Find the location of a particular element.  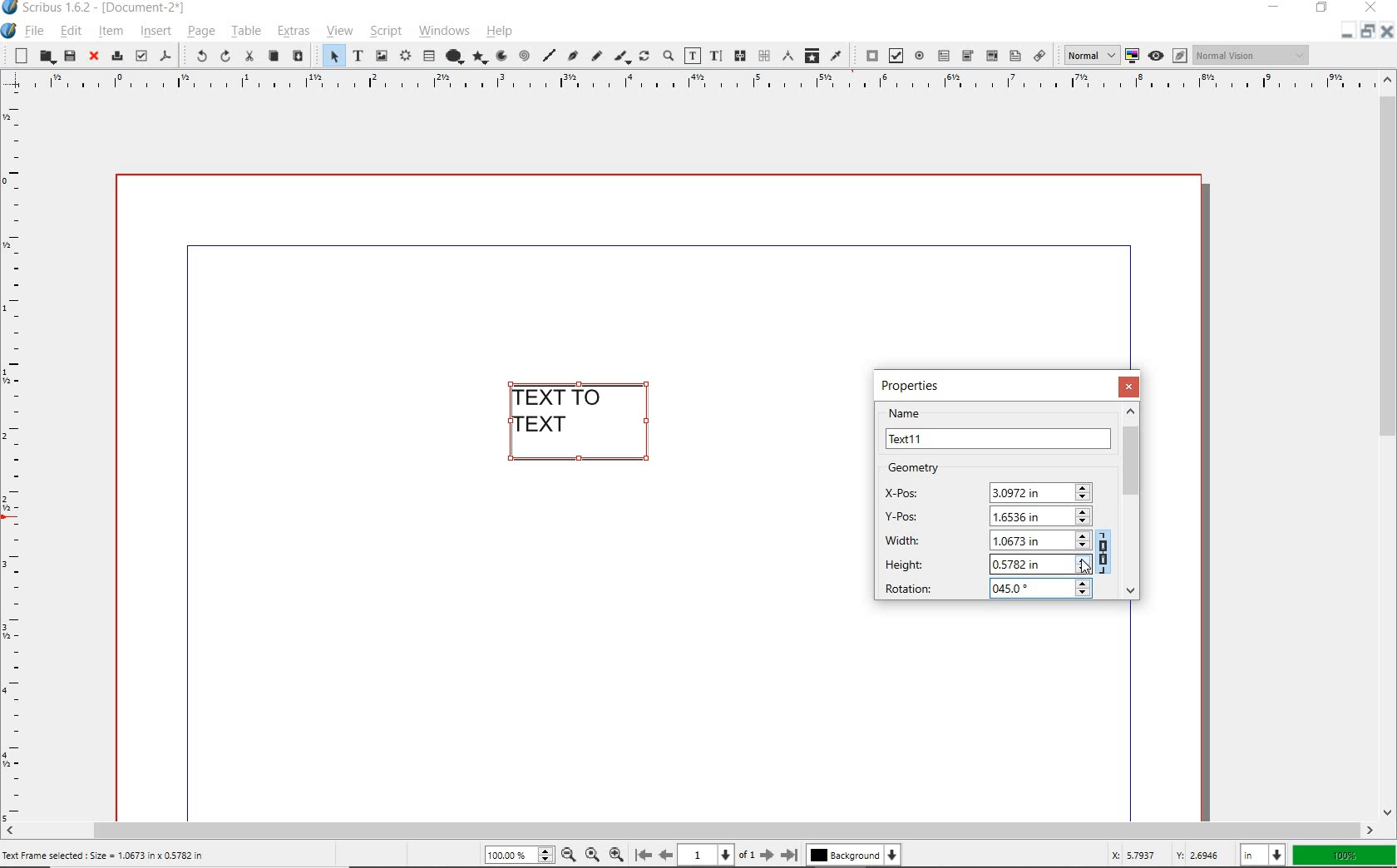

rotate item is located at coordinates (643, 57).